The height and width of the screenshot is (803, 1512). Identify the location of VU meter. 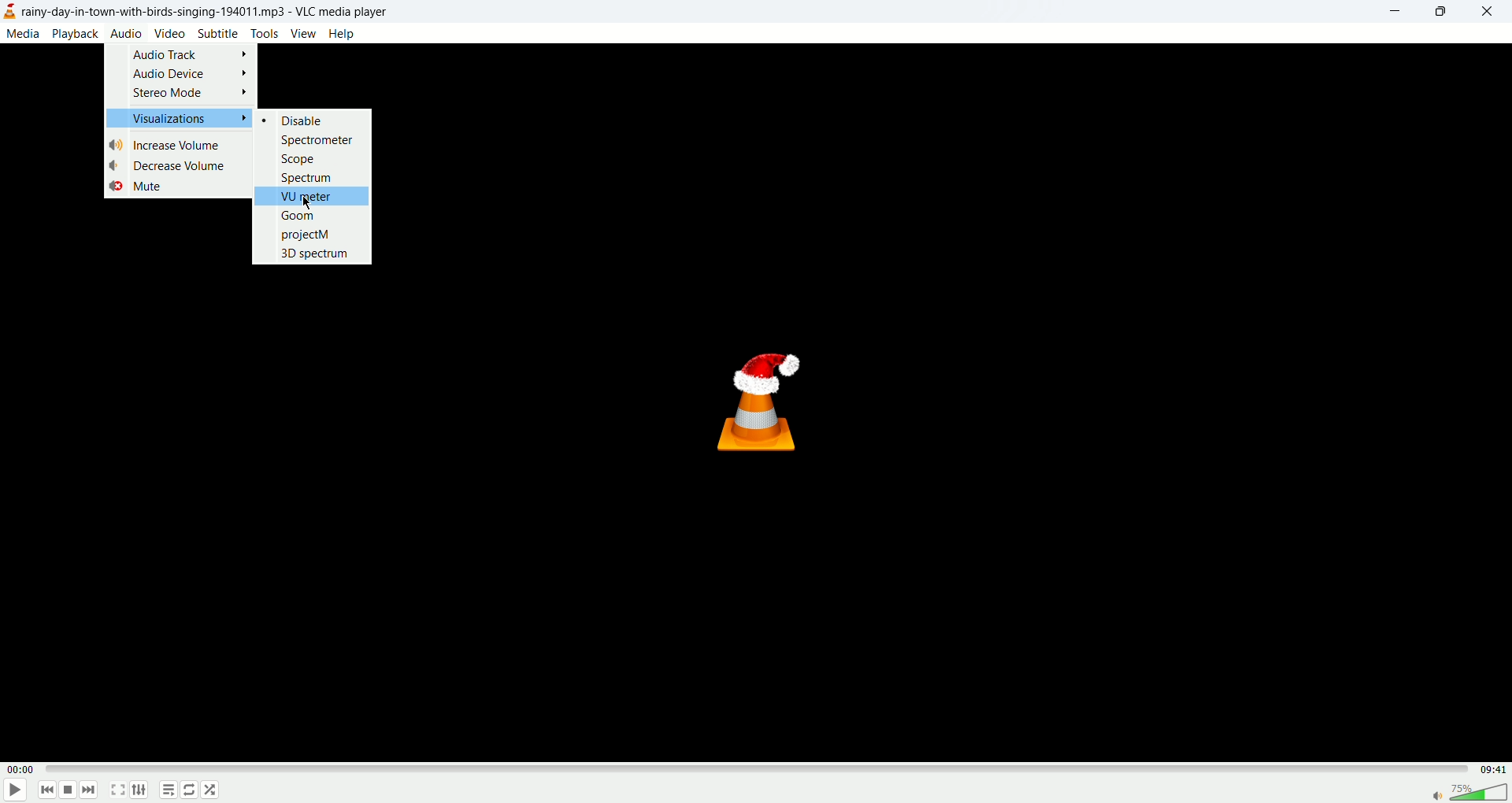
(307, 196).